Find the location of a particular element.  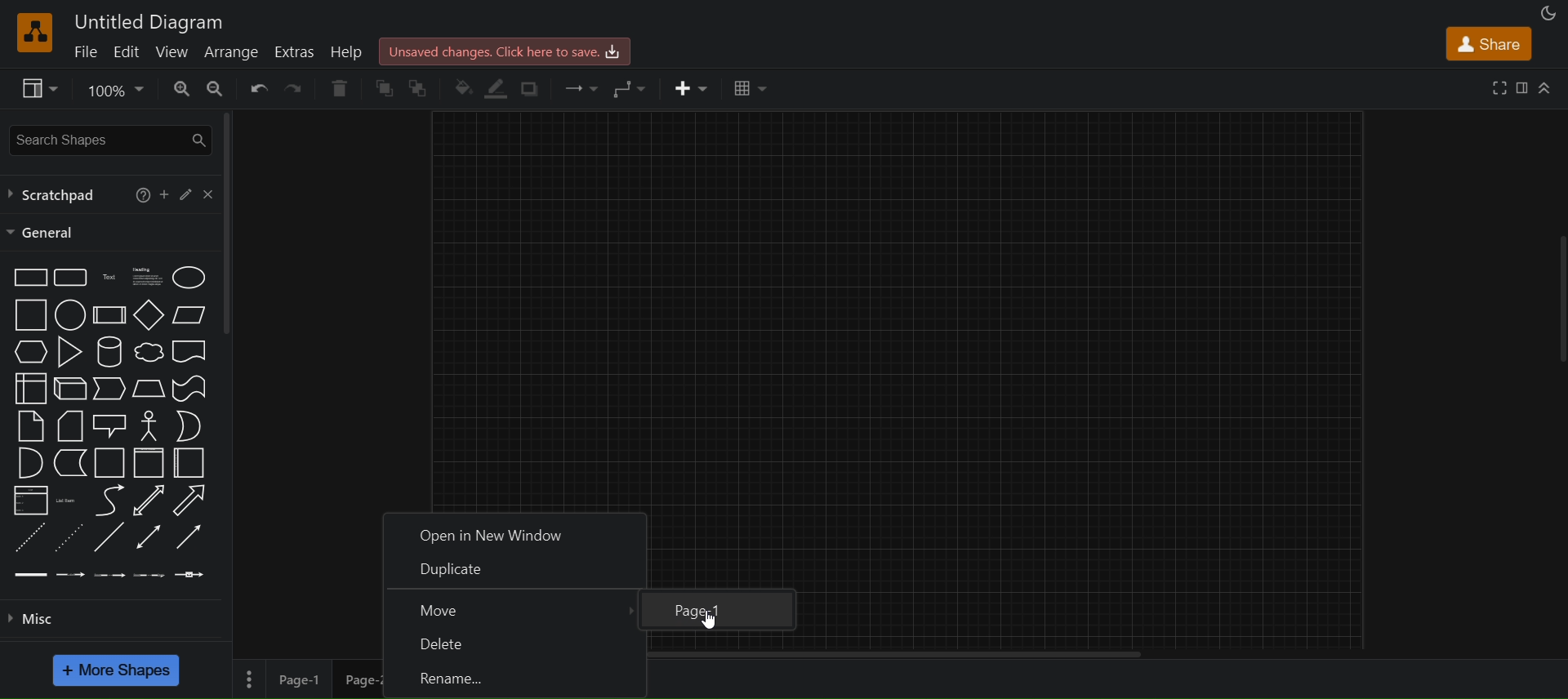

directional connector is located at coordinates (189, 536).